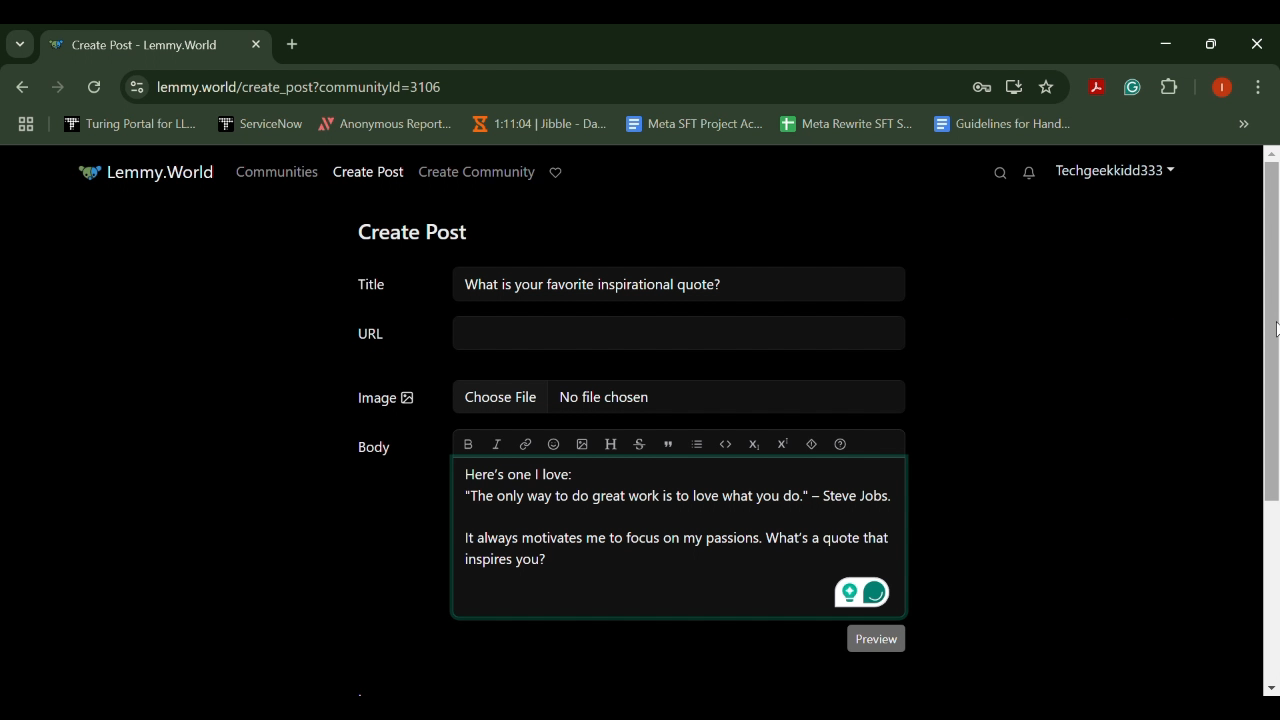 The width and height of the screenshot is (1280, 720). Describe the element at coordinates (1000, 124) in the screenshot. I see `Guidelines for Hand...` at that location.